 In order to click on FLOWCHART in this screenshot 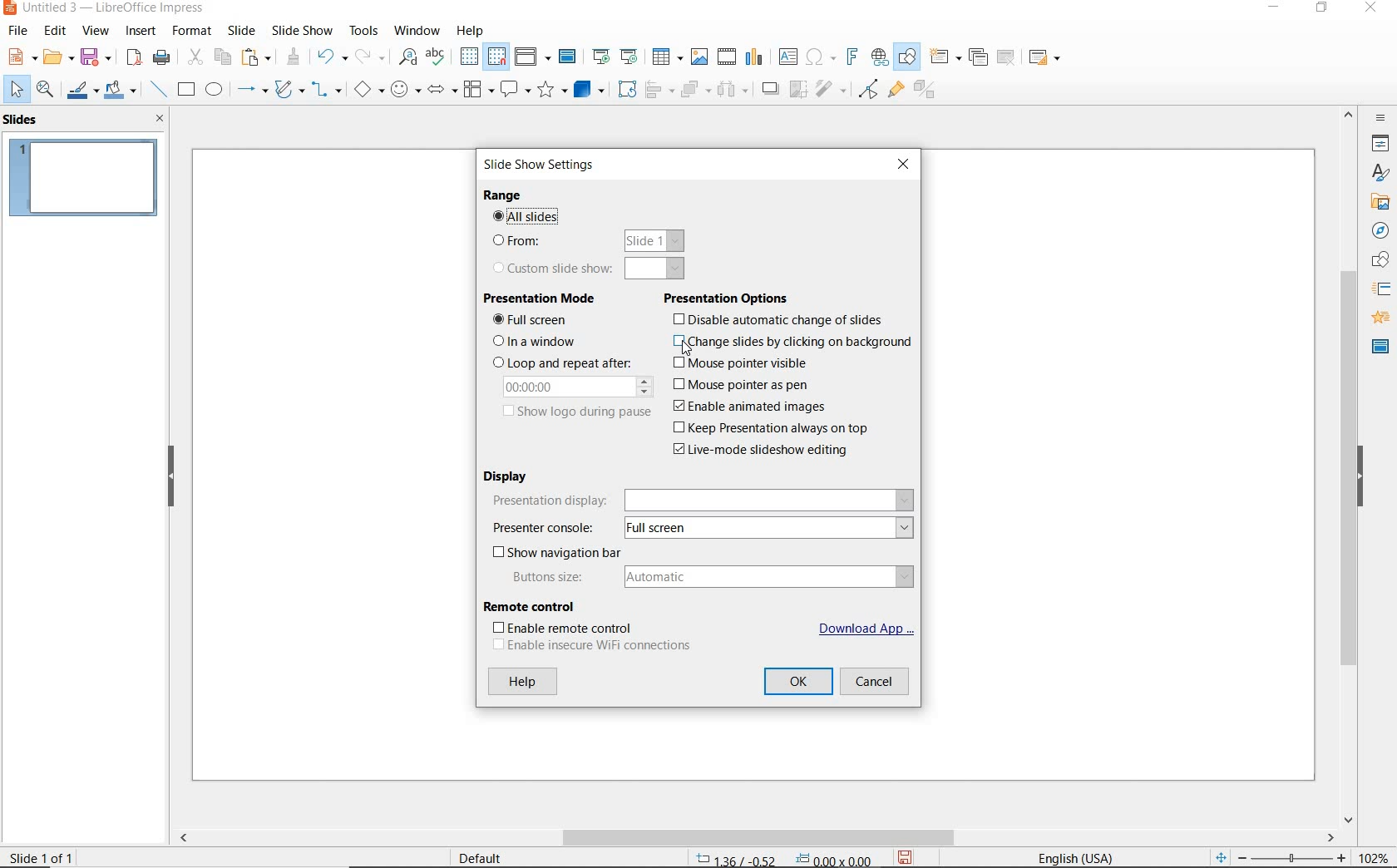, I will do `click(477, 90)`.